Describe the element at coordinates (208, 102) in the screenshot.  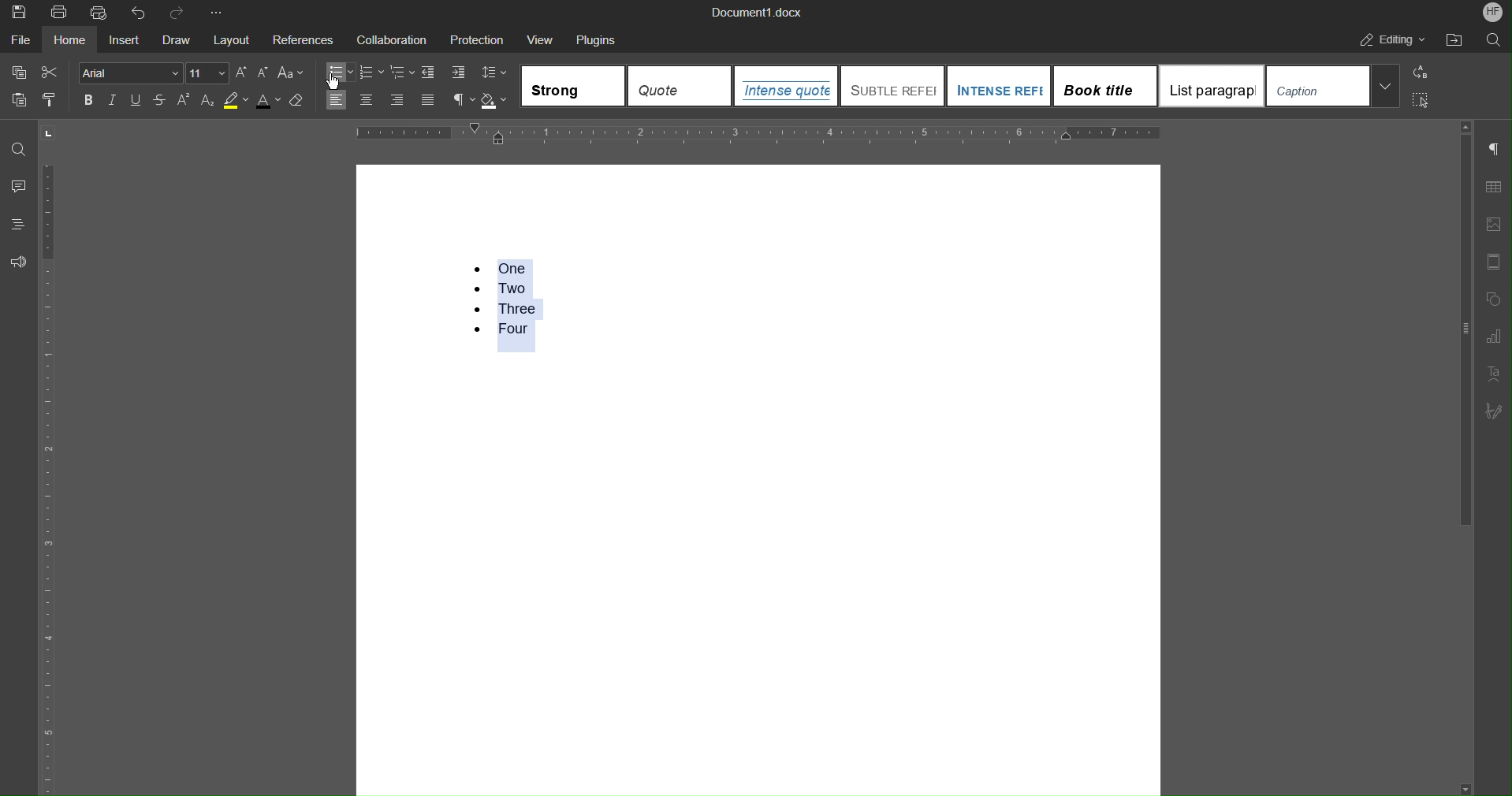
I see `Subscript` at that location.